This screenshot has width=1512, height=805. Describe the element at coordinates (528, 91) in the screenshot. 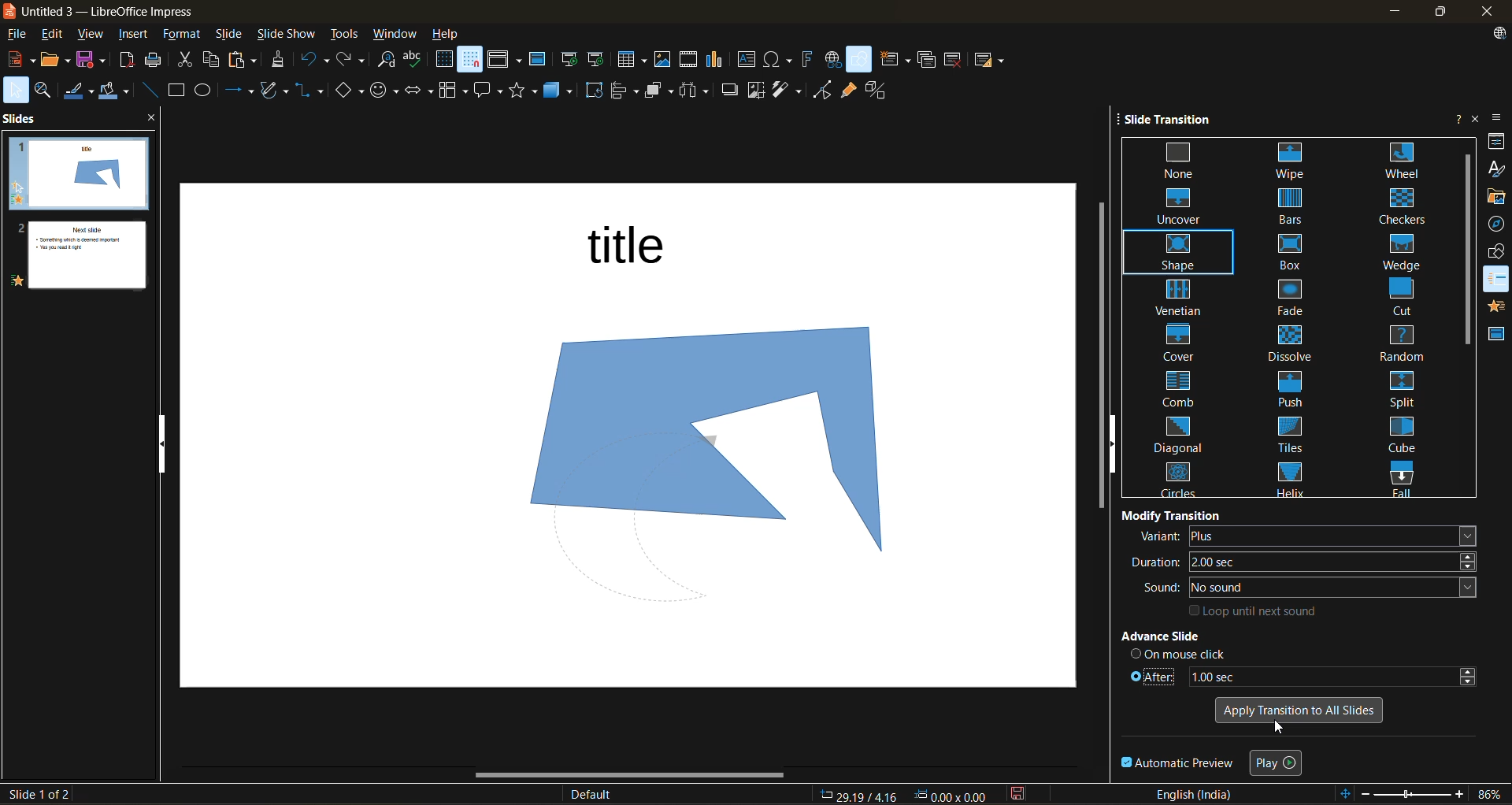

I see `stars and banners` at that location.